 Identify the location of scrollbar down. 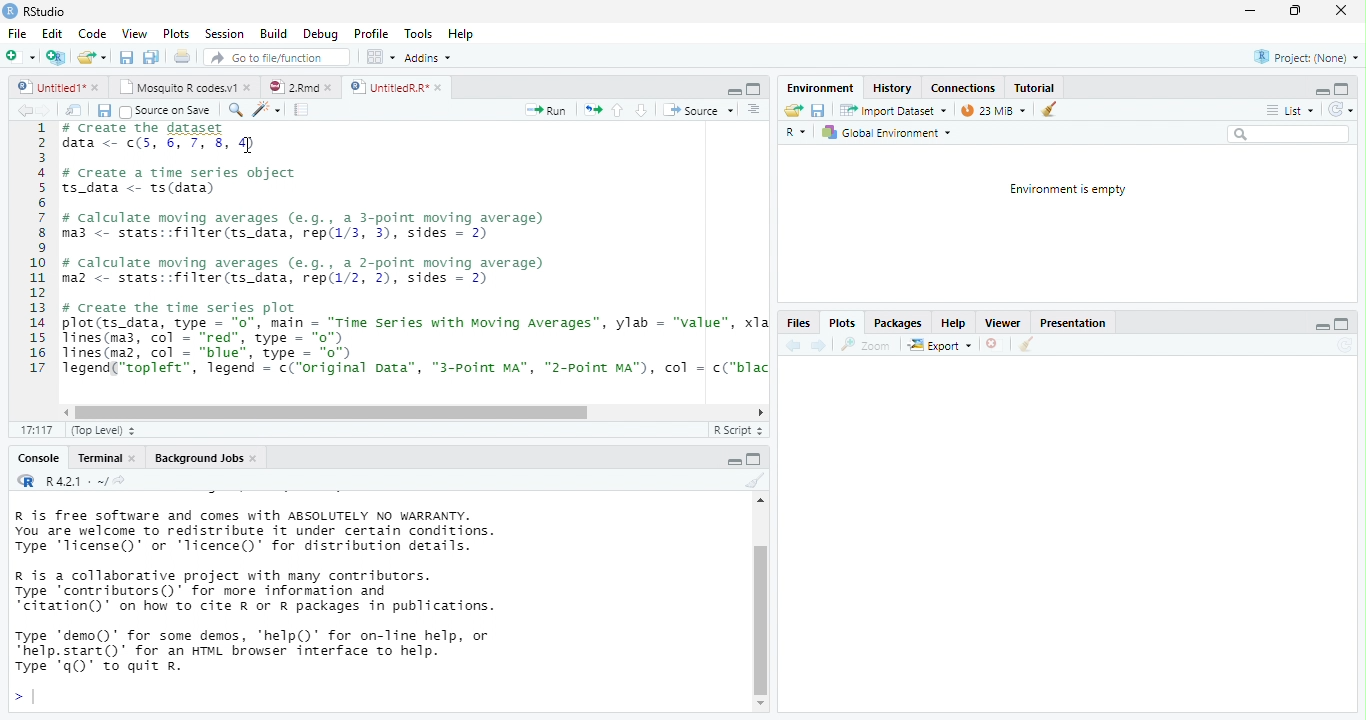
(761, 704).